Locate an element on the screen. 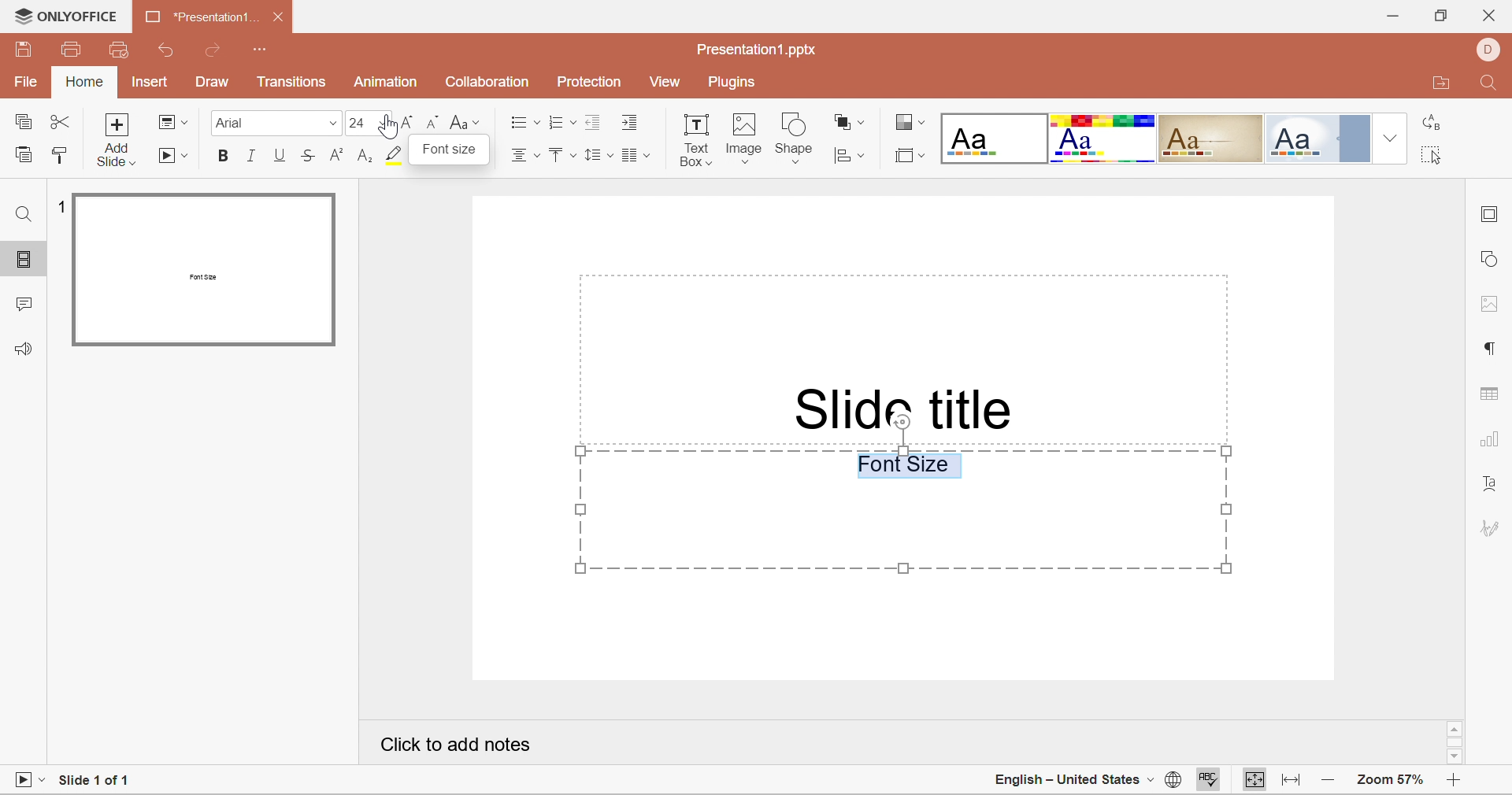 This screenshot has width=1512, height=795. shape settings is located at coordinates (1492, 257).